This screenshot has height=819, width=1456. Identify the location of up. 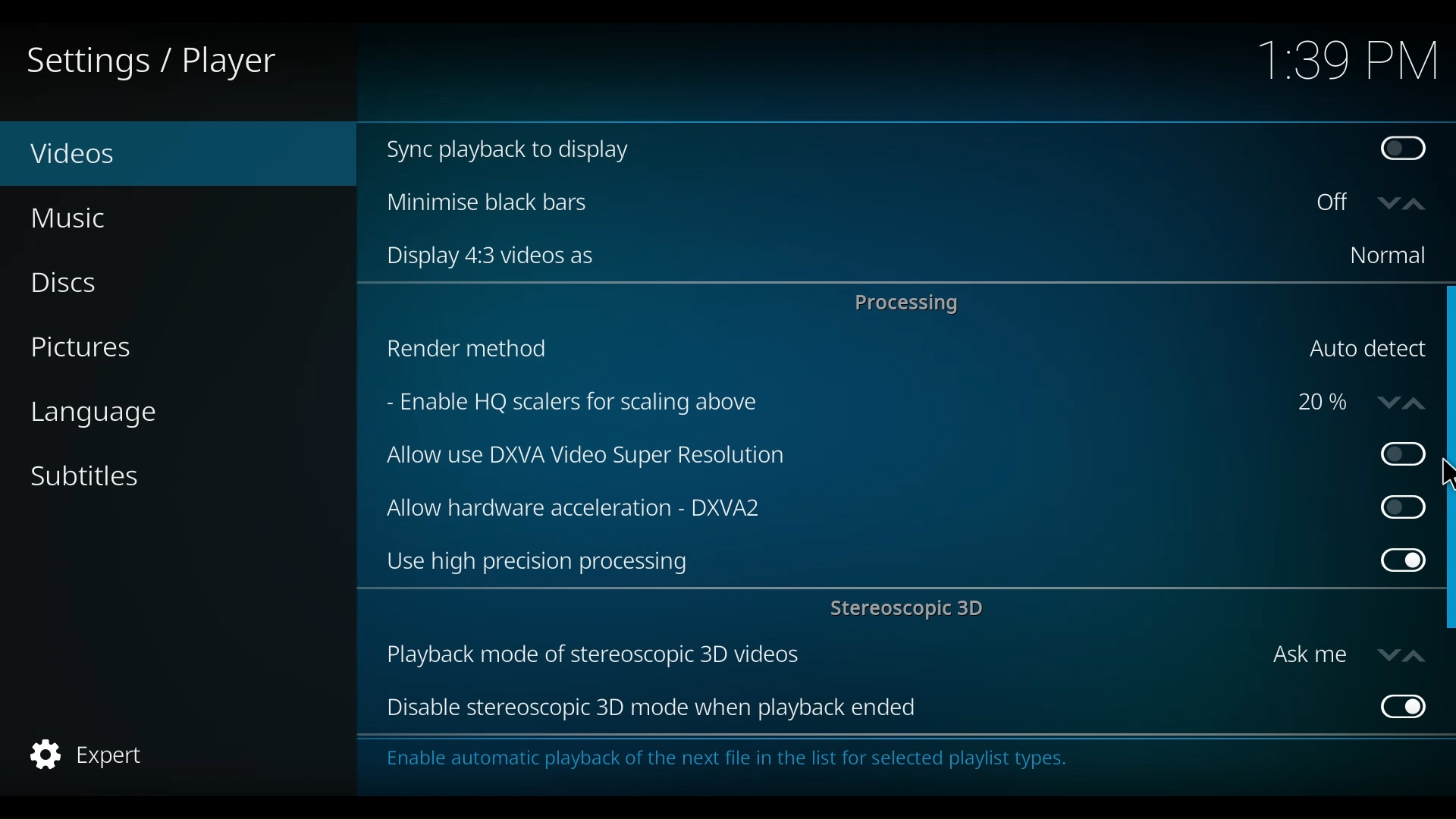
(1417, 400).